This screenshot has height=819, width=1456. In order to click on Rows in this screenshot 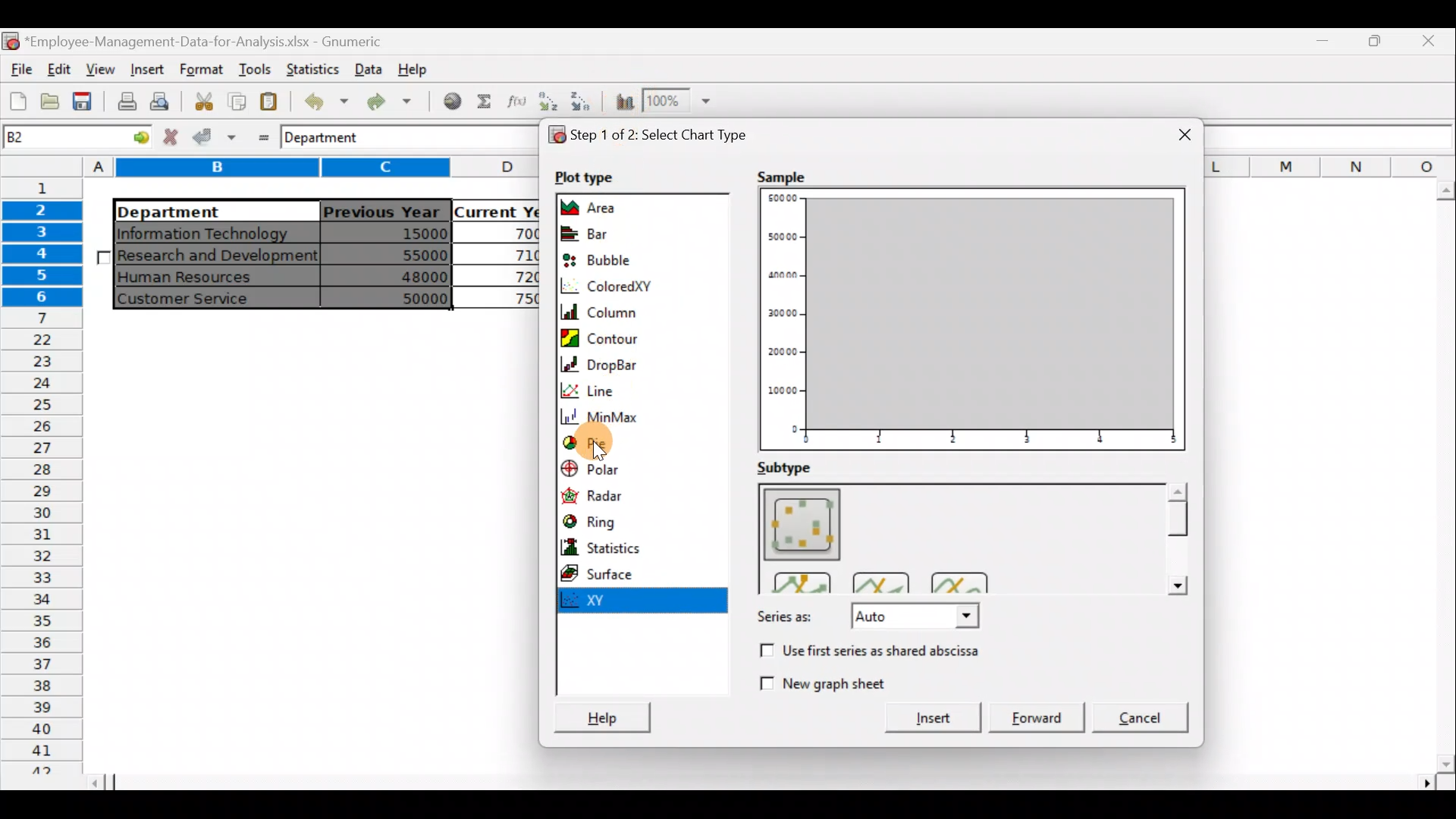, I will do `click(45, 475)`.